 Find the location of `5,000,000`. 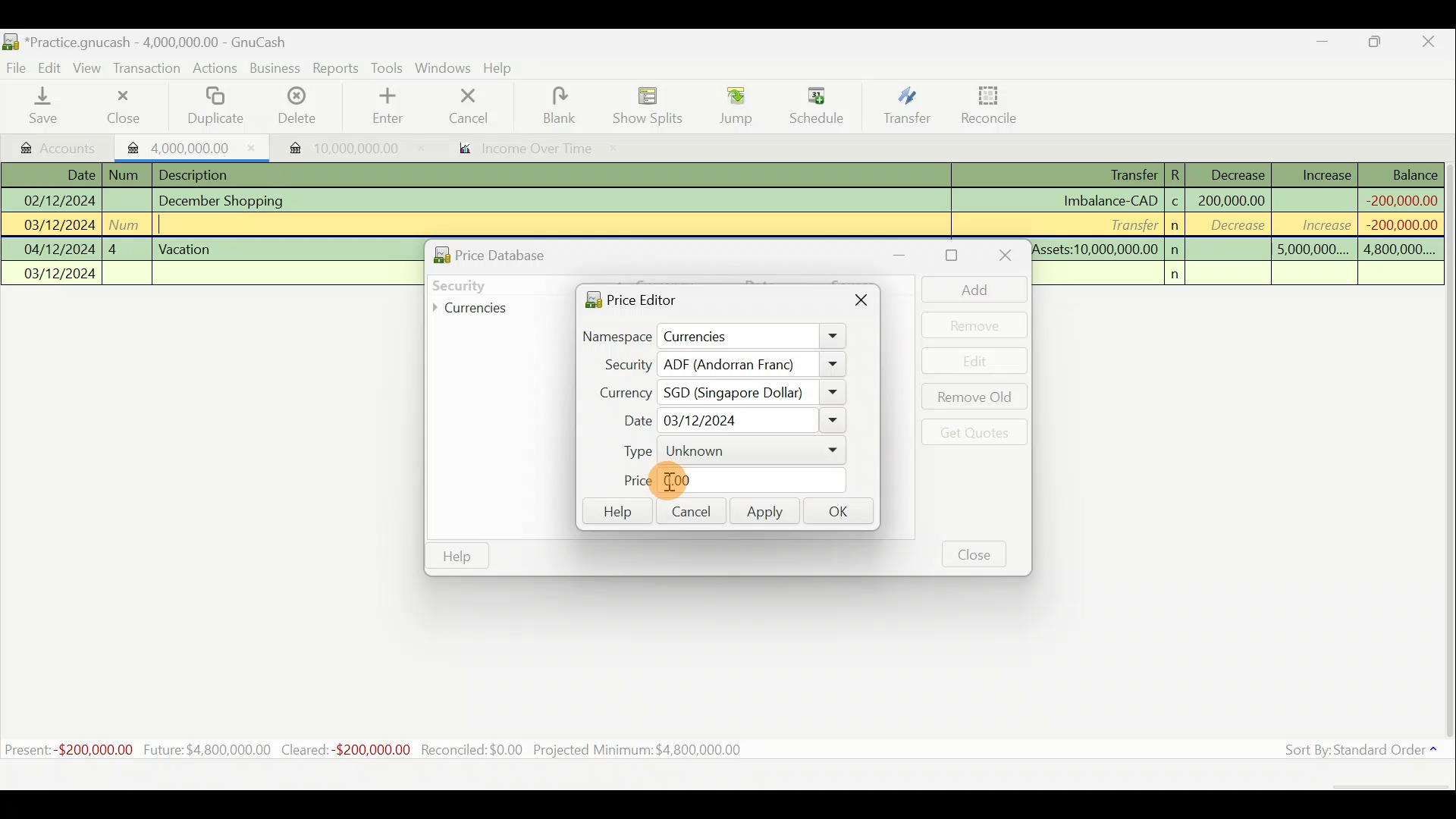

5,000,000 is located at coordinates (1313, 252).